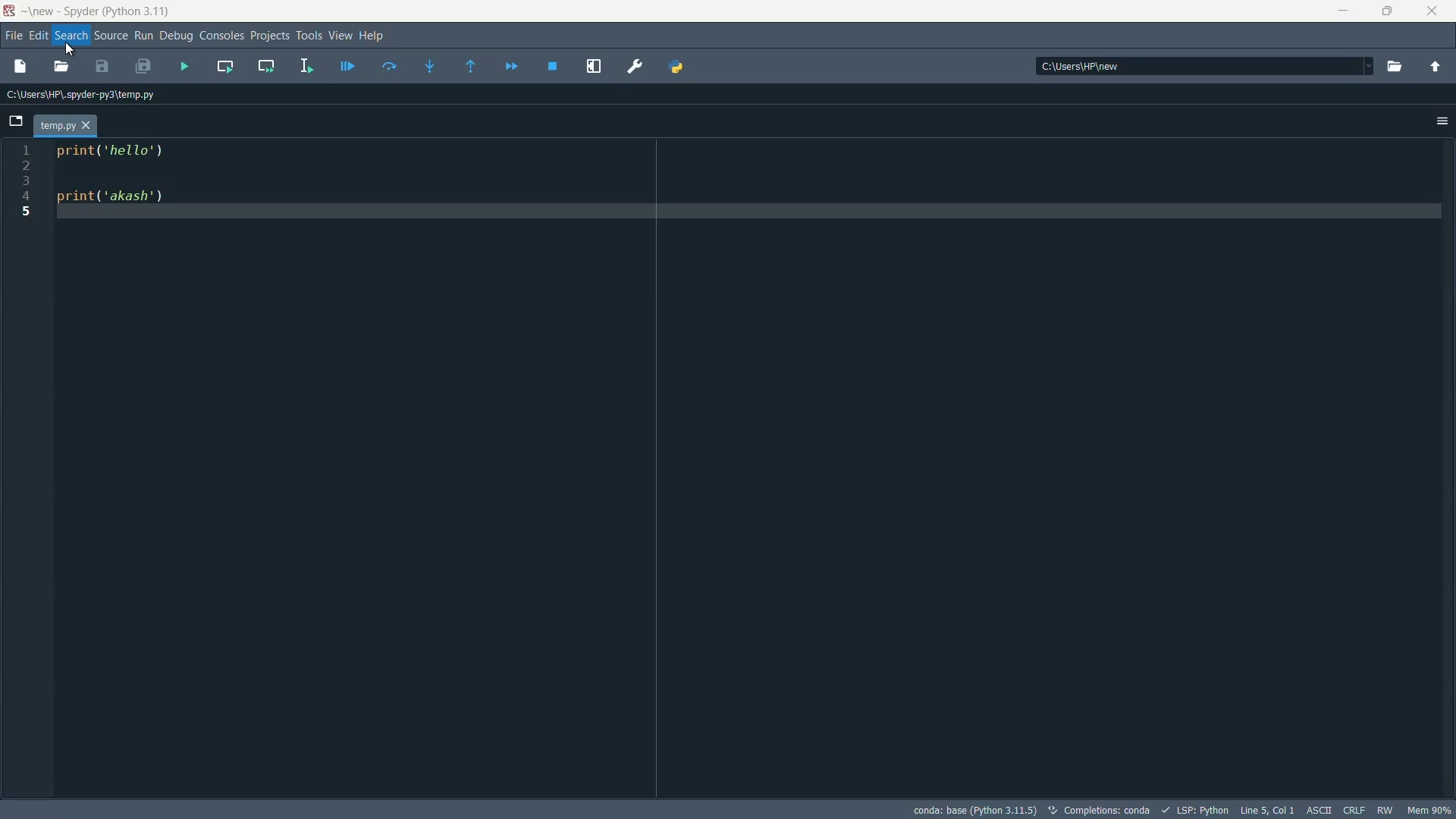 The width and height of the screenshot is (1456, 819). Describe the element at coordinates (1385, 810) in the screenshot. I see `rw` at that location.